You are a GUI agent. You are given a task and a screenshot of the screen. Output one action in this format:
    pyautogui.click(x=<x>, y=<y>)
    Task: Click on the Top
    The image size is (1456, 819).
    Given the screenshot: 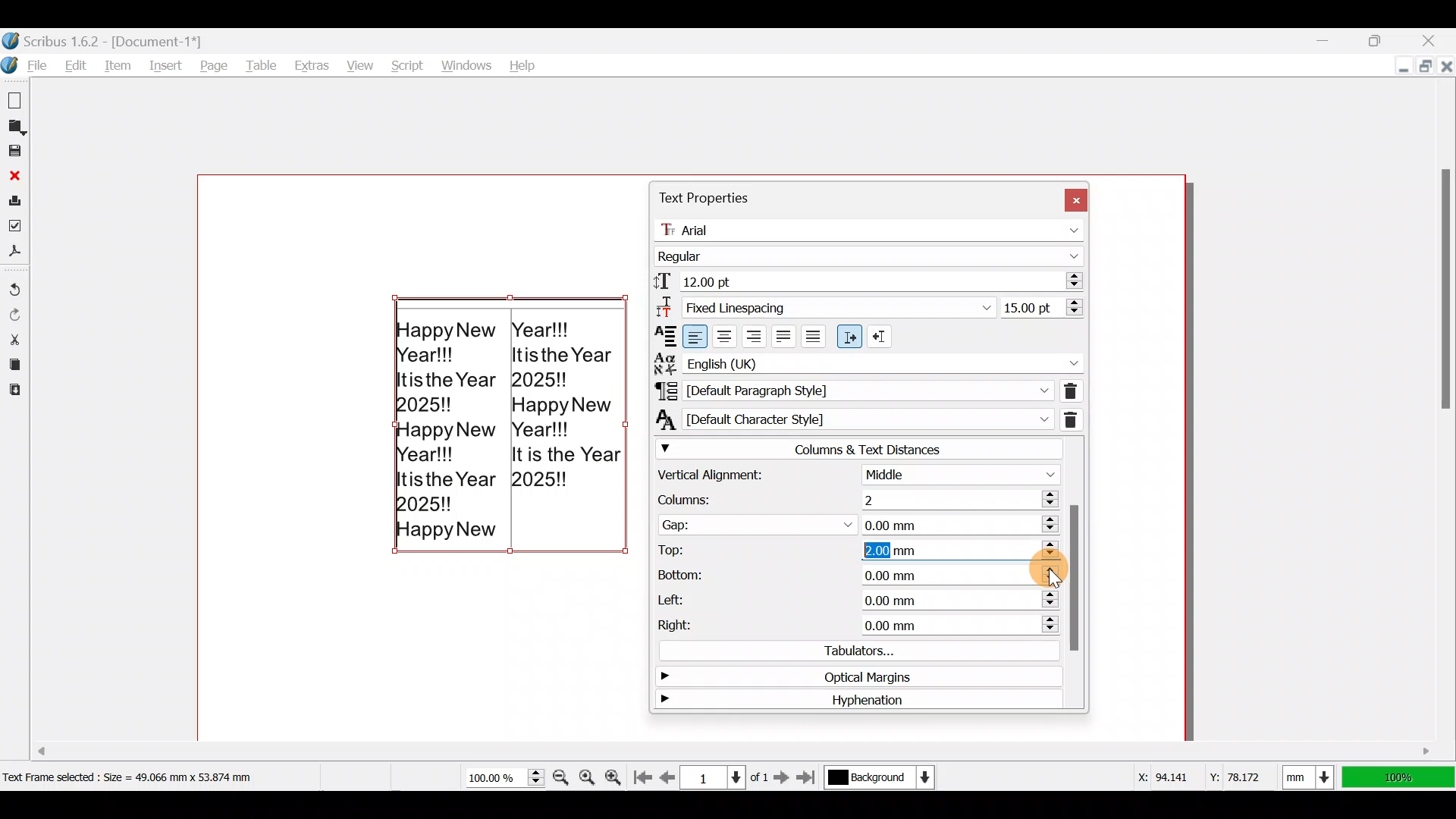 What is the action you would take?
    pyautogui.click(x=852, y=548)
    